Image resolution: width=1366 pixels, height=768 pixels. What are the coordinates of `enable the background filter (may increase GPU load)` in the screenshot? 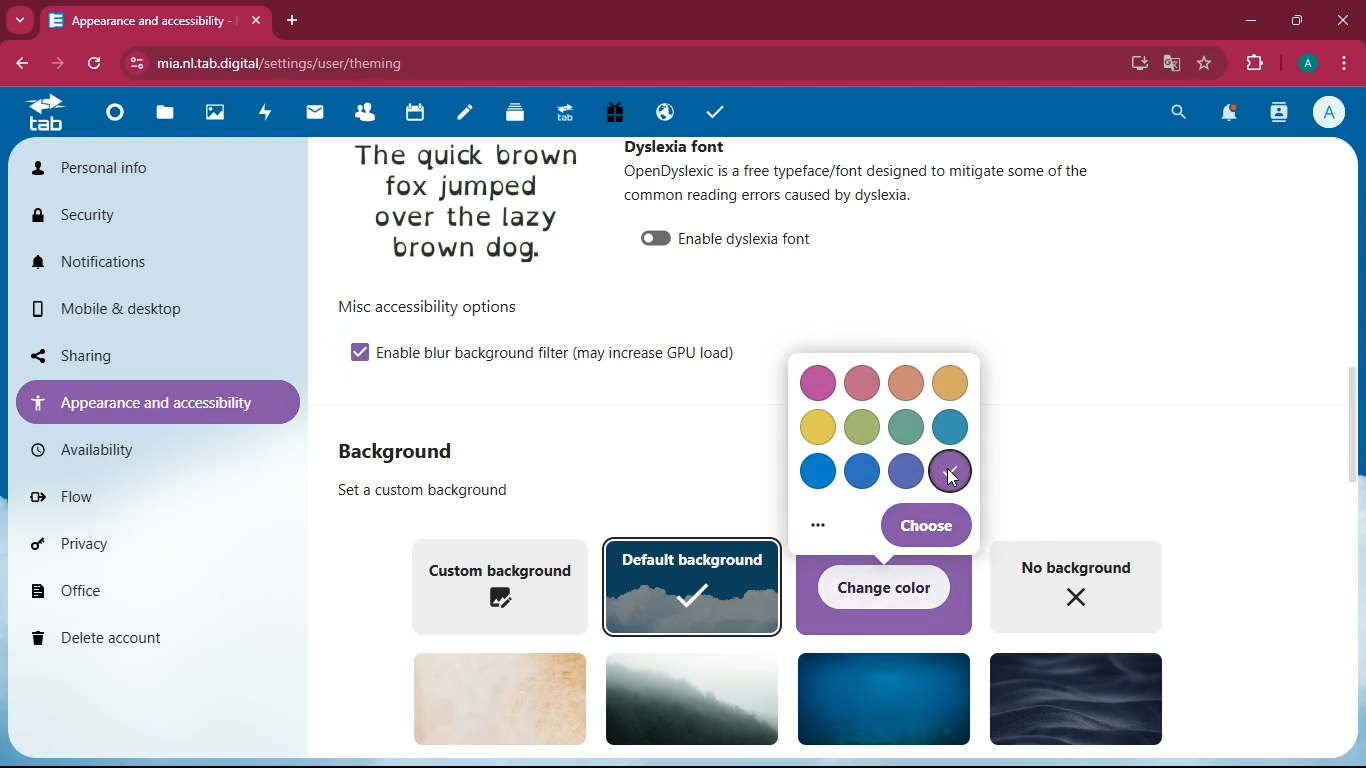 It's located at (566, 354).